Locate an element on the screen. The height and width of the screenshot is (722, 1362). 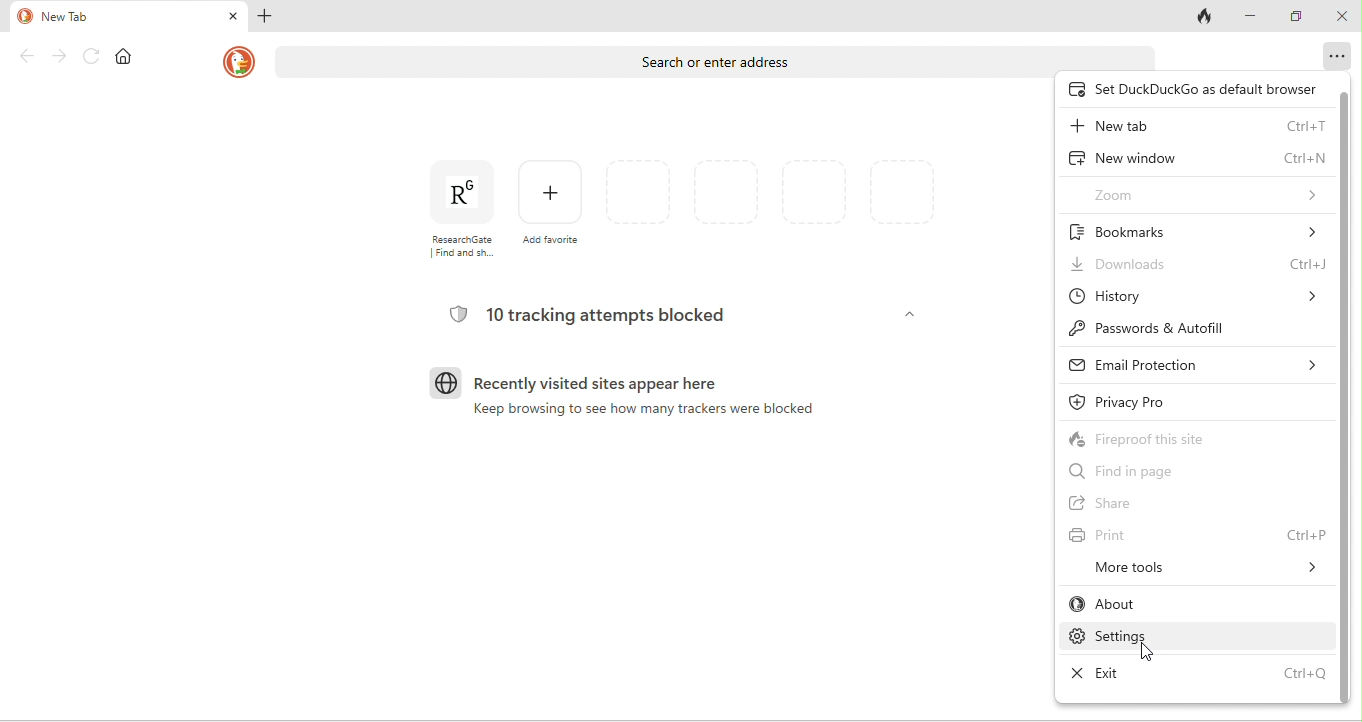
minimize is located at coordinates (1253, 17).